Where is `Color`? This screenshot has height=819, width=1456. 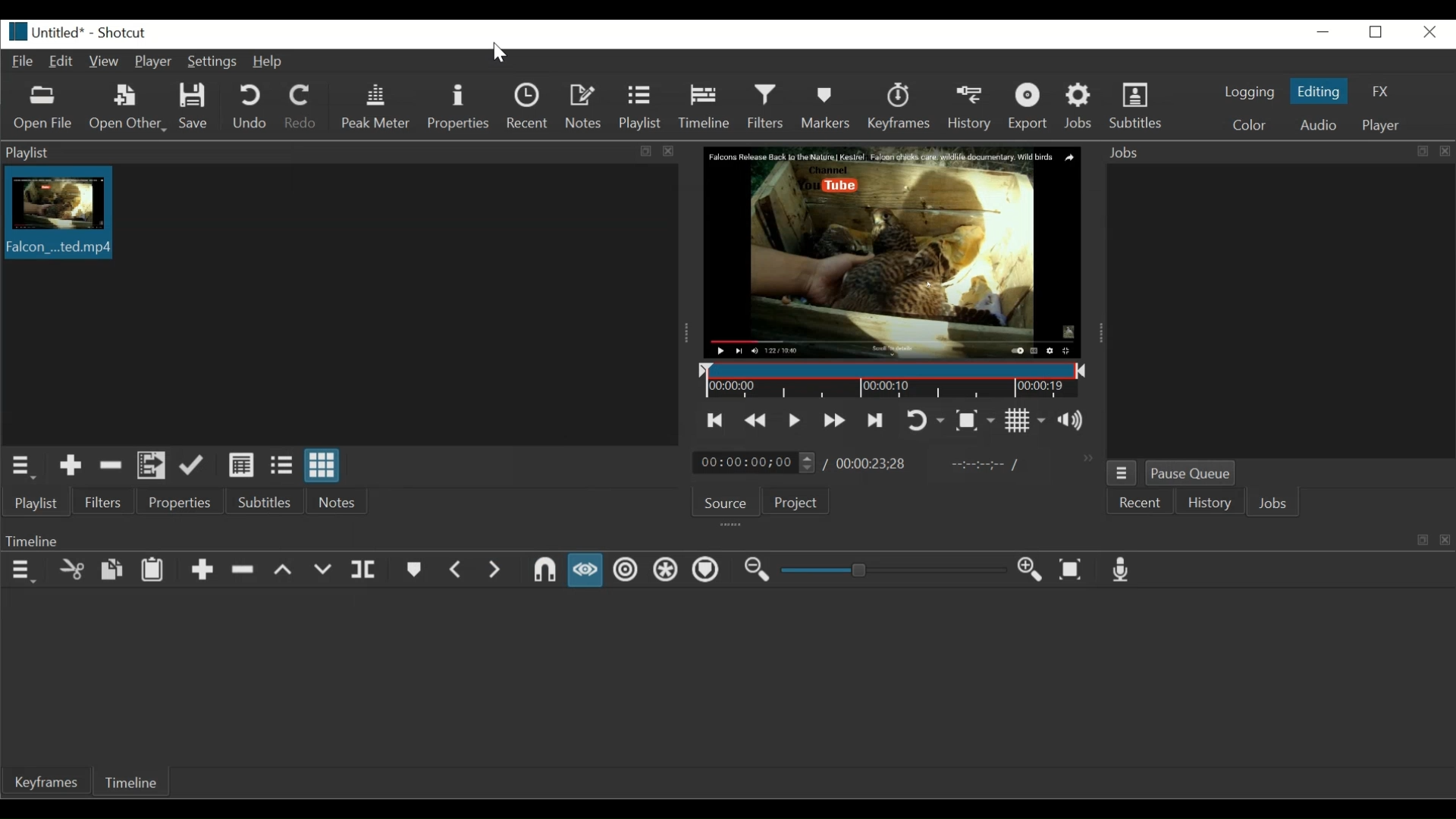
Color is located at coordinates (1250, 124).